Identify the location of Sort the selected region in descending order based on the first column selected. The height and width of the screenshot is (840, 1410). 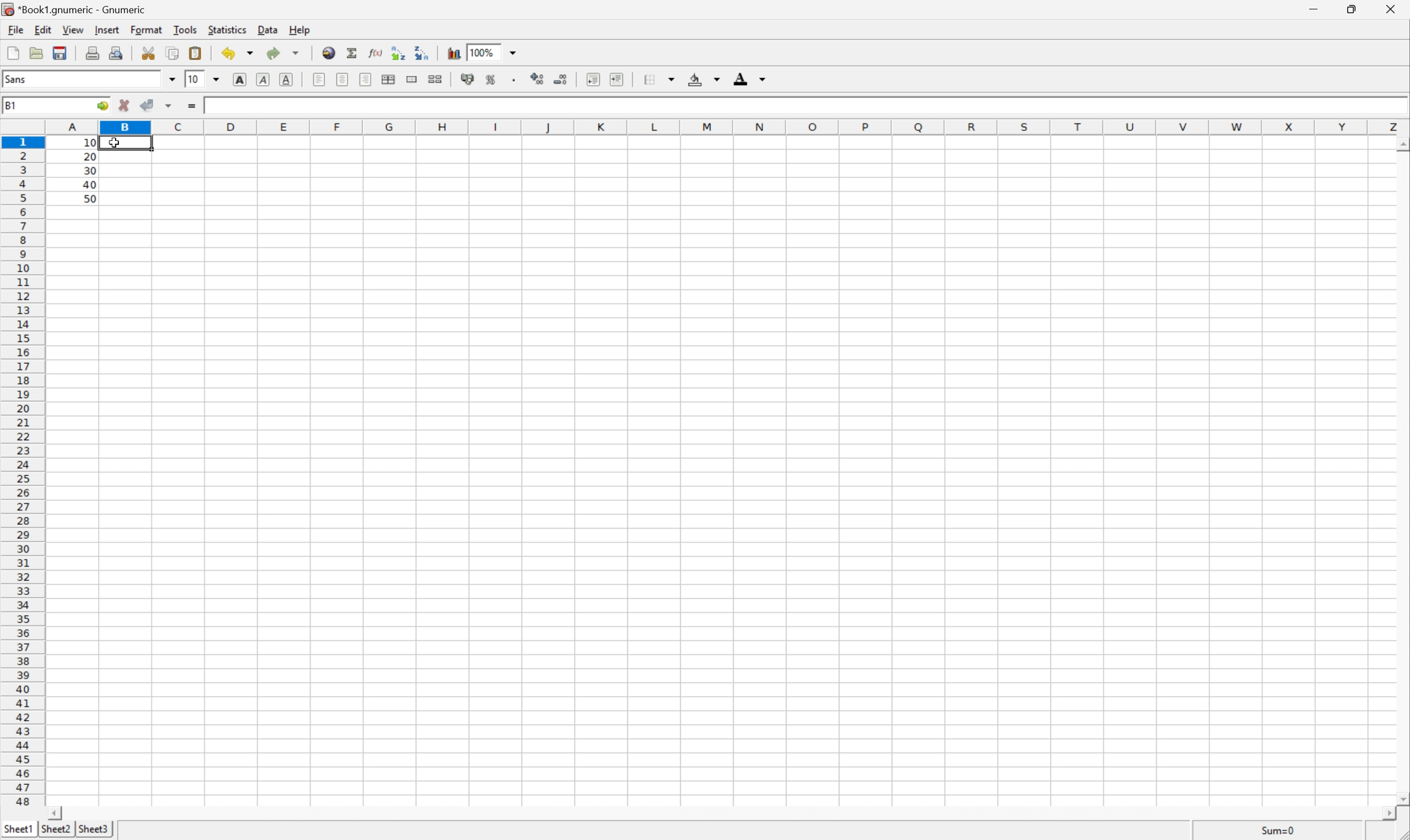
(422, 52).